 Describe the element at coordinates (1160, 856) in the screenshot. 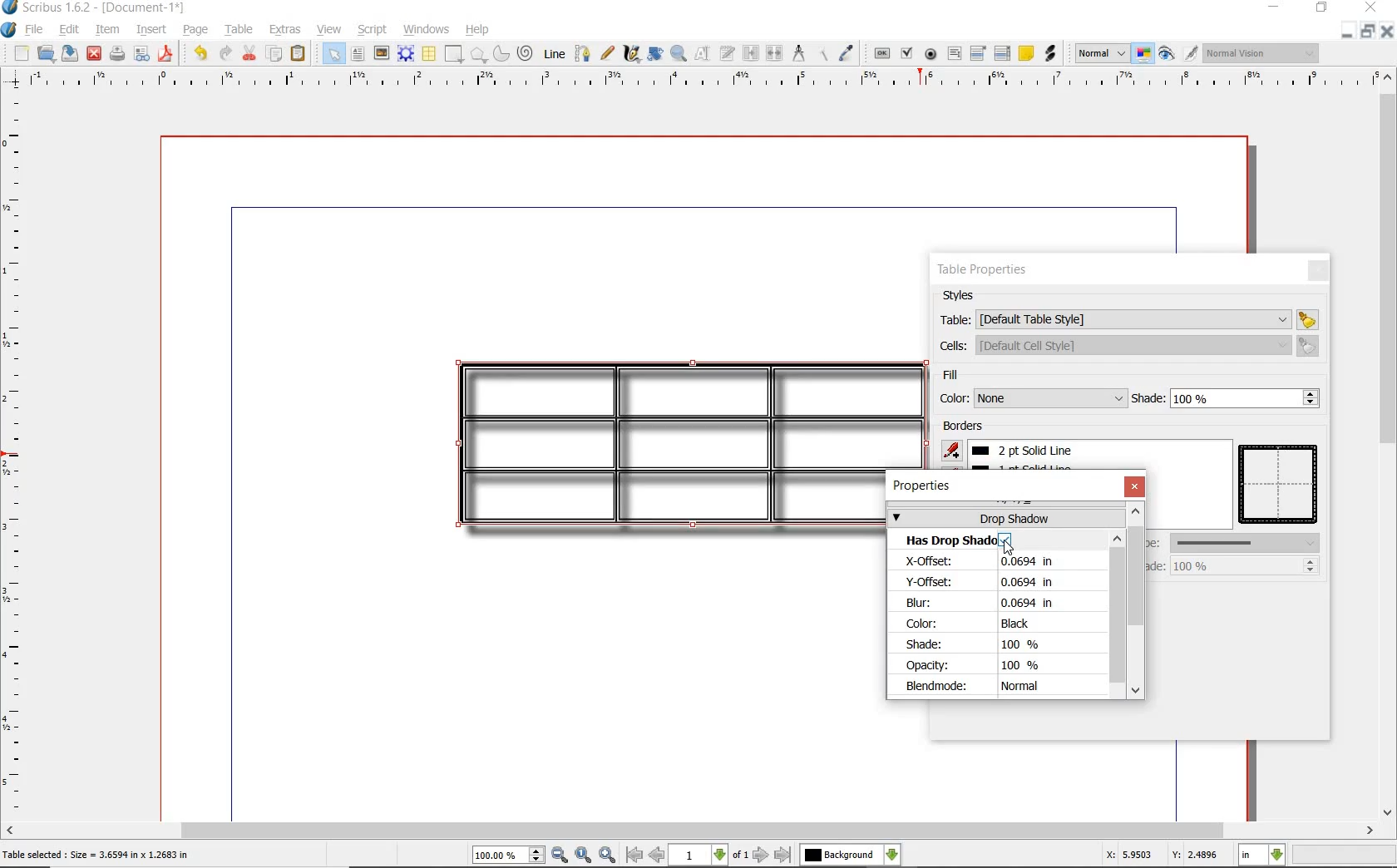

I see `X: 5.9503 Y: 2.4896` at that location.